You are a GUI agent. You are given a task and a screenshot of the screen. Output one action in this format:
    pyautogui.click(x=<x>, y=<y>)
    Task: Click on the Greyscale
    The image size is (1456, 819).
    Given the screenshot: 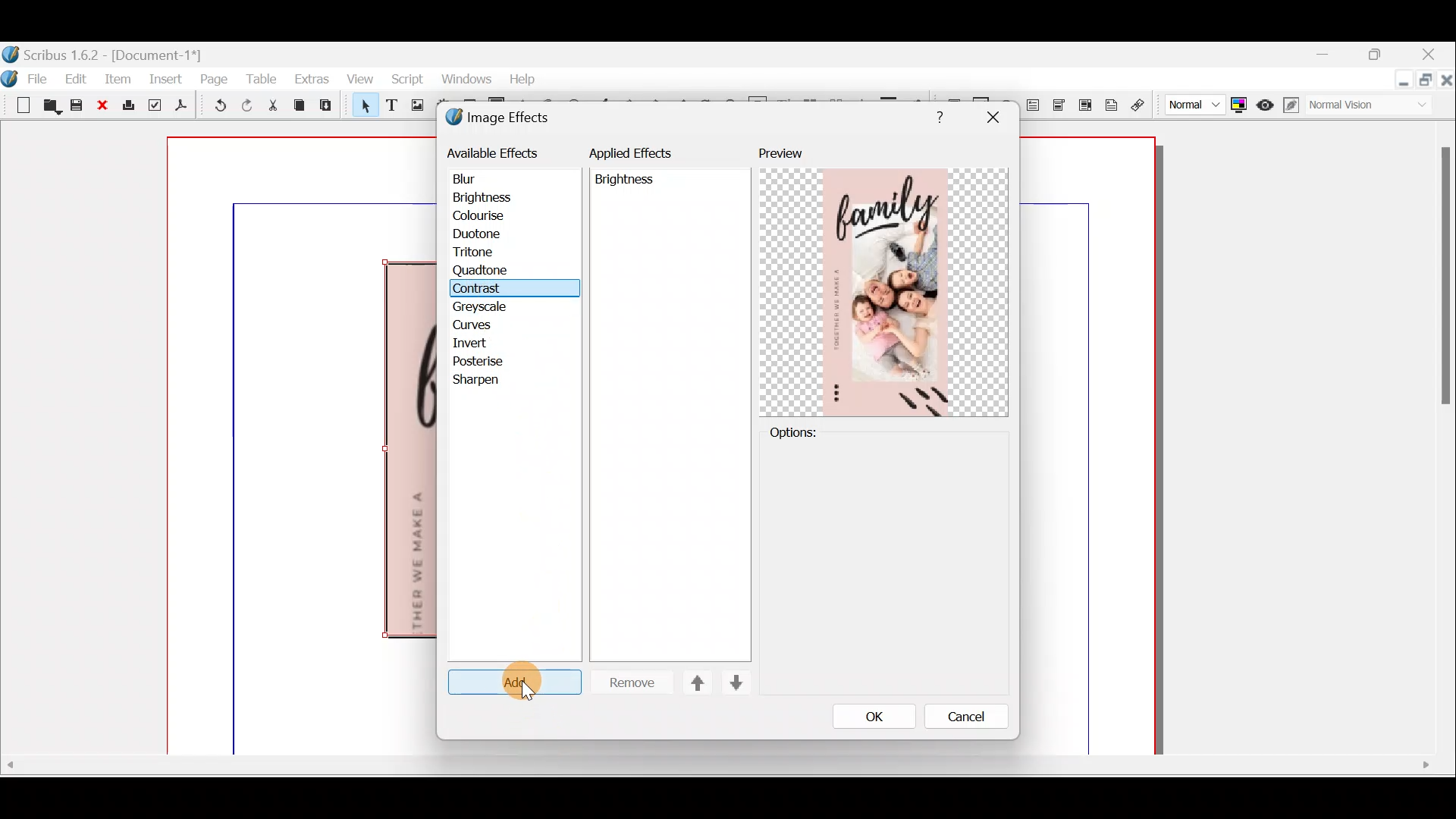 What is the action you would take?
    pyautogui.click(x=485, y=306)
    